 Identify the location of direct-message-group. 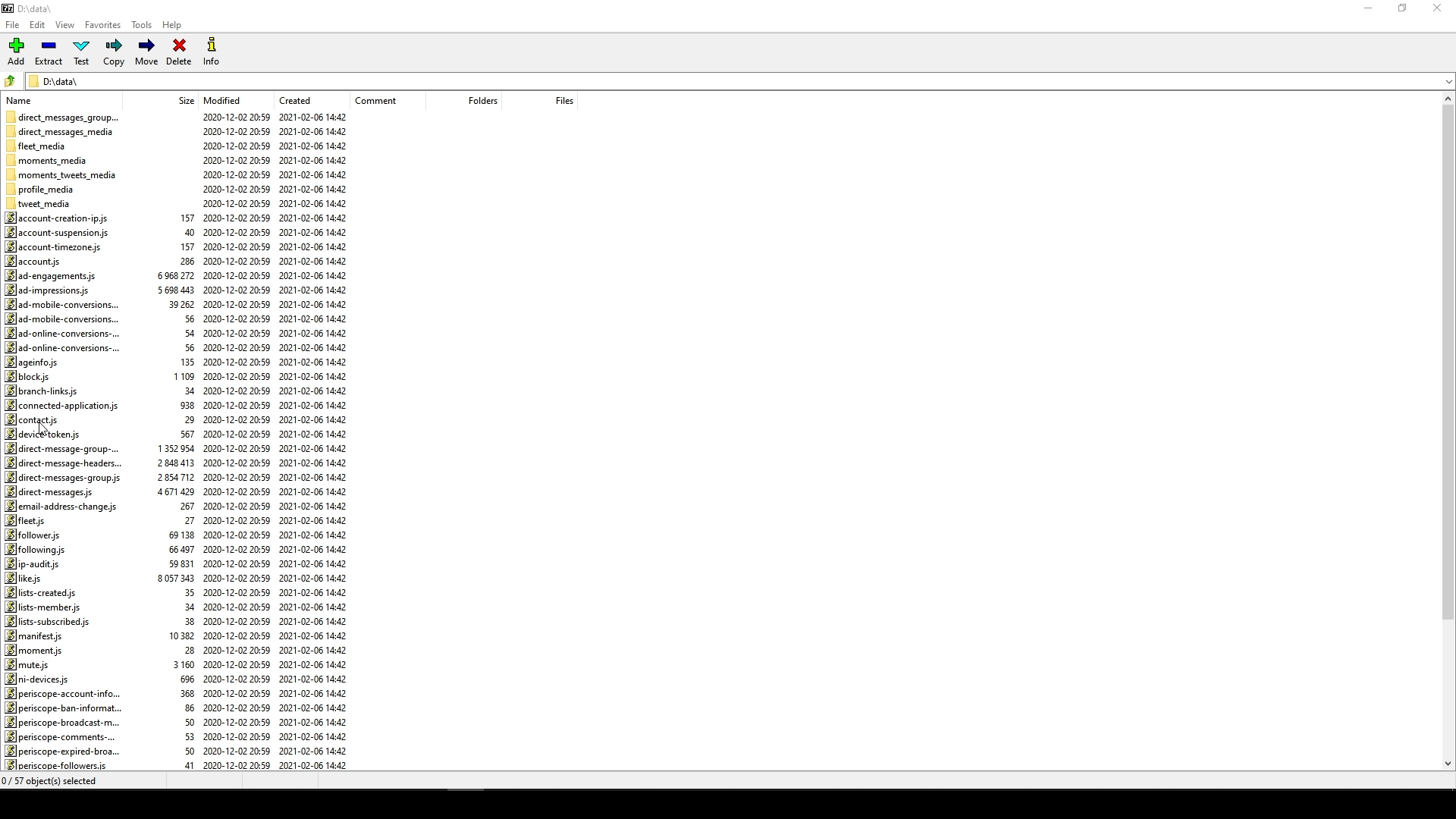
(67, 449).